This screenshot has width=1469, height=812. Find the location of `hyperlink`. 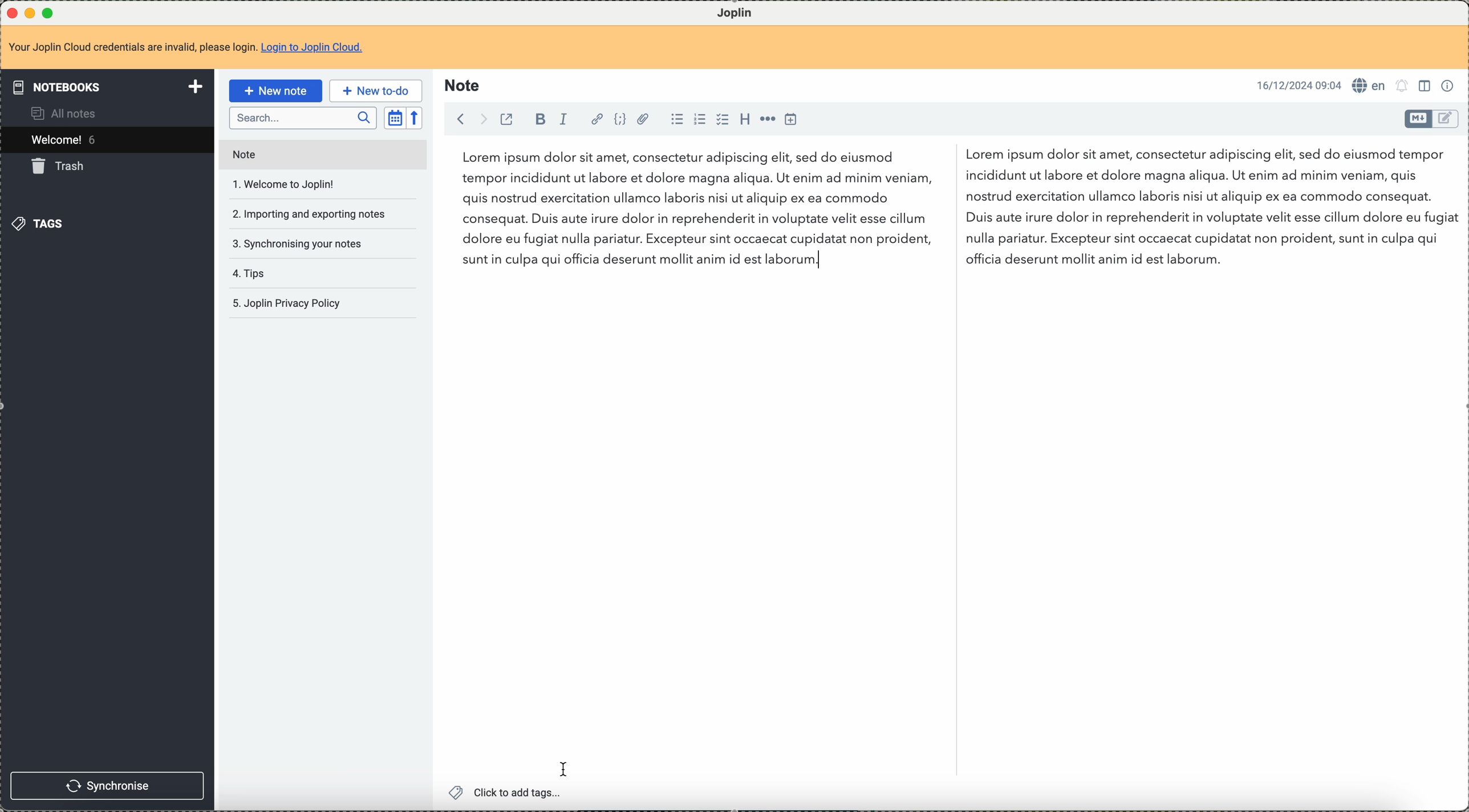

hyperlink is located at coordinates (596, 119).